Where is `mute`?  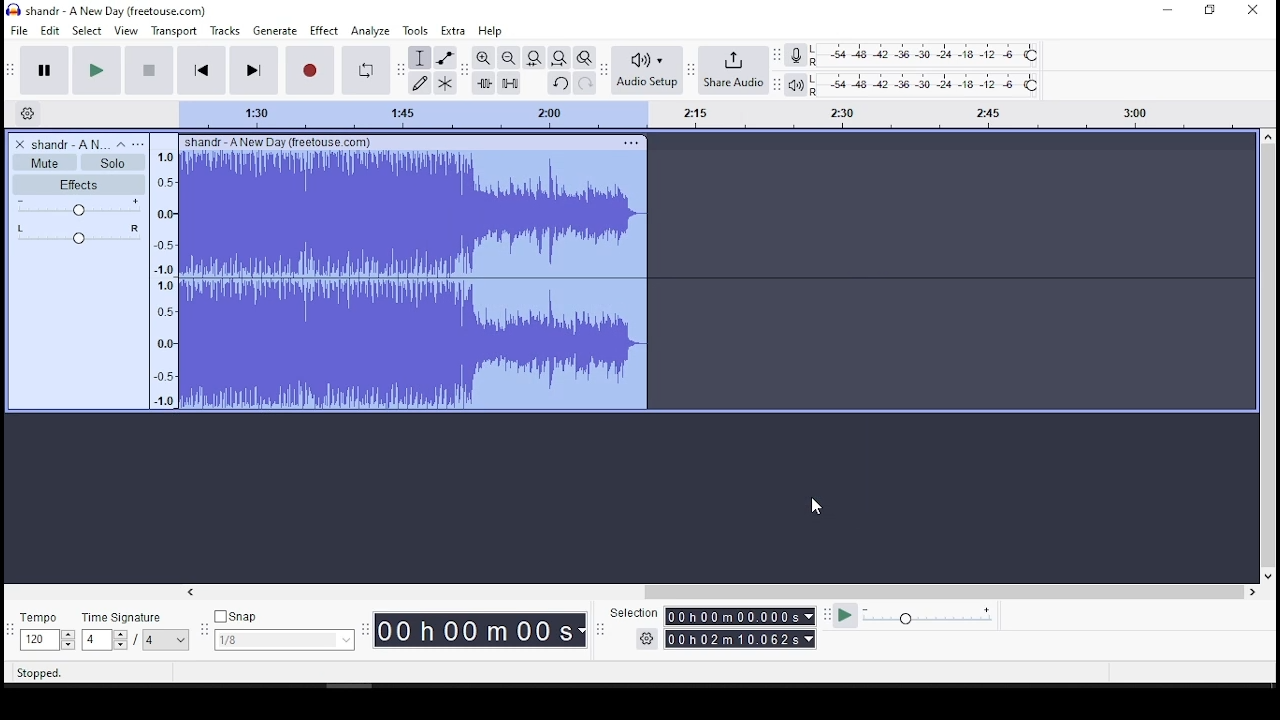
mute is located at coordinates (46, 162).